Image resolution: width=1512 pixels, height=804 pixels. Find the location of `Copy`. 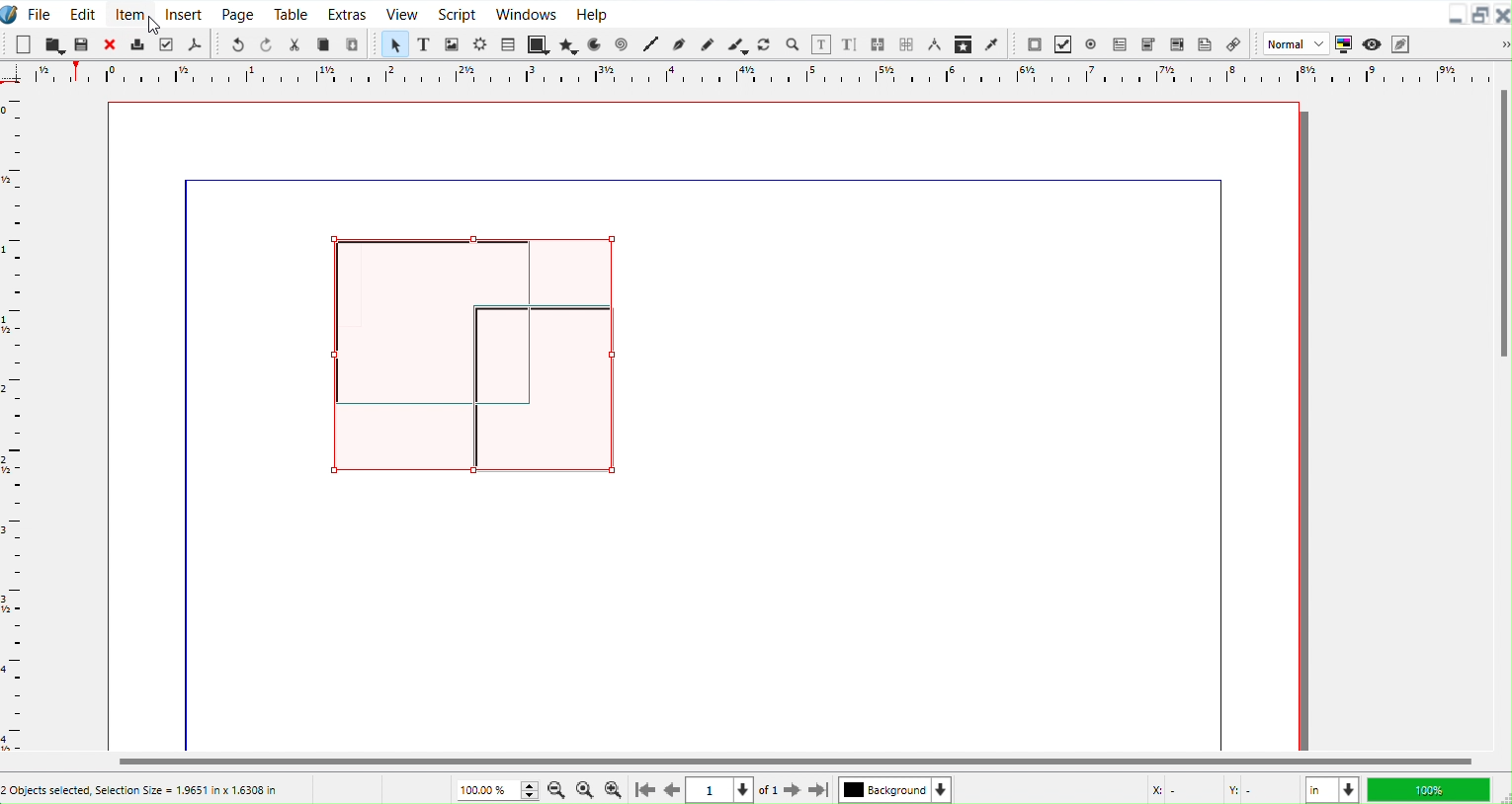

Copy is located at coordinates (325, 43).